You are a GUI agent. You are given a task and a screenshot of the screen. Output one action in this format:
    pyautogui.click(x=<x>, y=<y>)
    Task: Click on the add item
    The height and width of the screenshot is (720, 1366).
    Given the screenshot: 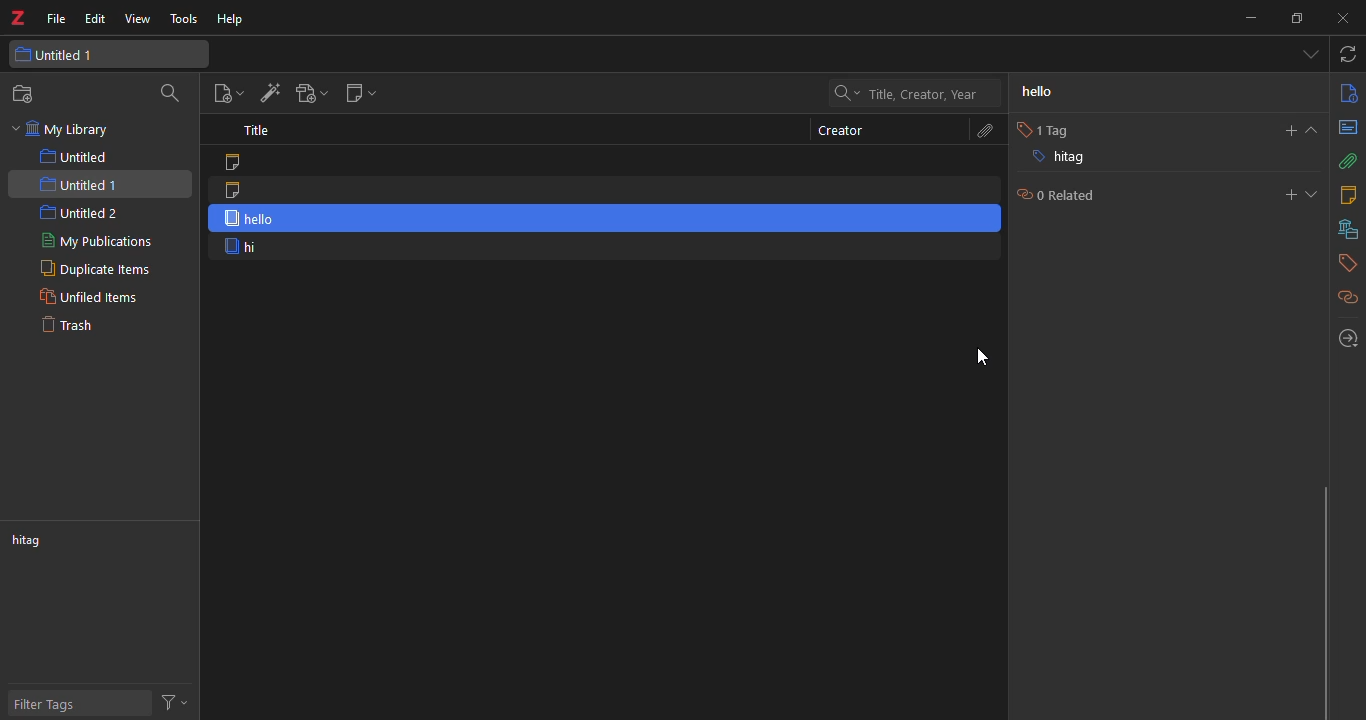 What is the action you would take?
    pyautogui.click(x=267, y=93)
    